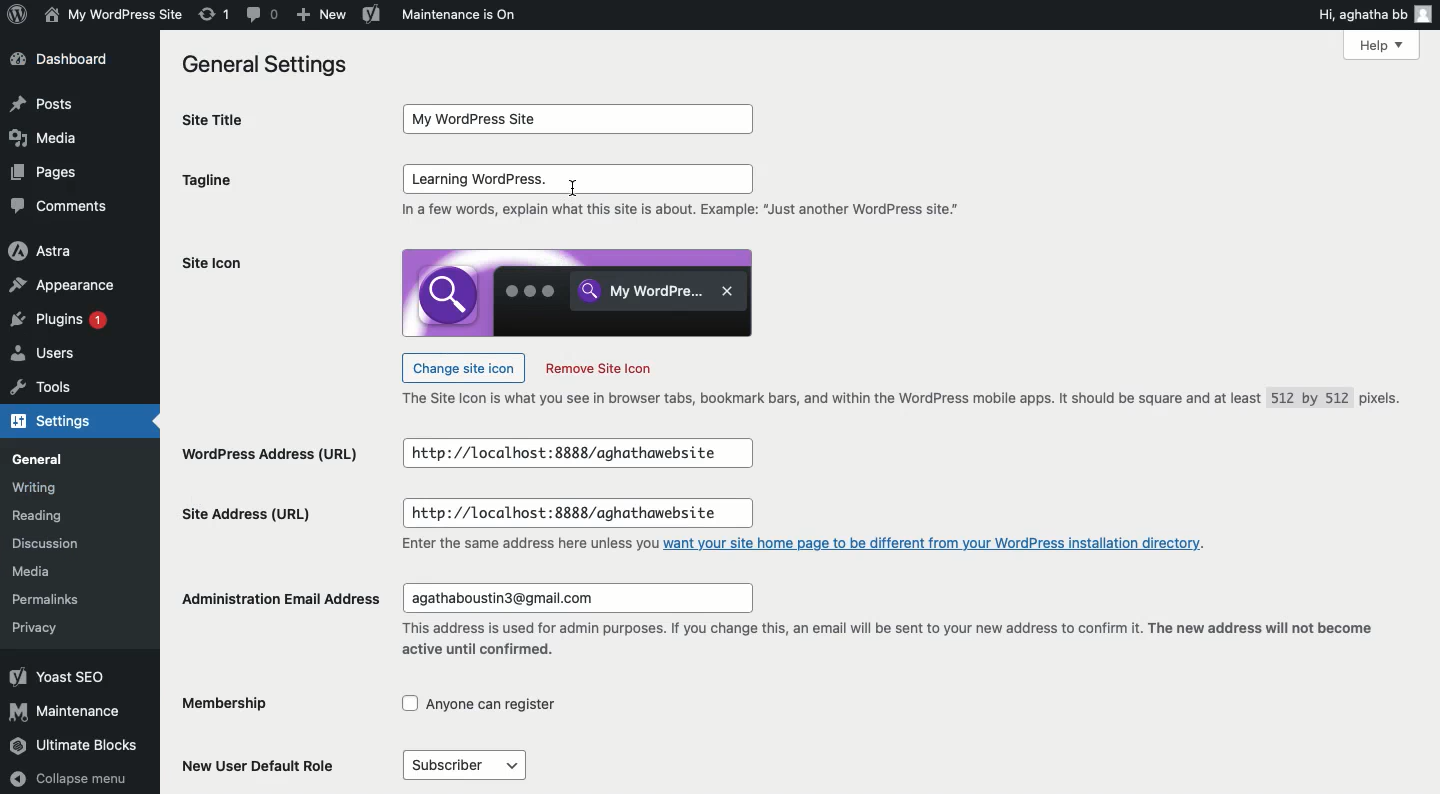 The height and width of the screenshot is (794, 1440). Describe the element at coordinates (319, 15) in the screenshot. I see `New` at that location.